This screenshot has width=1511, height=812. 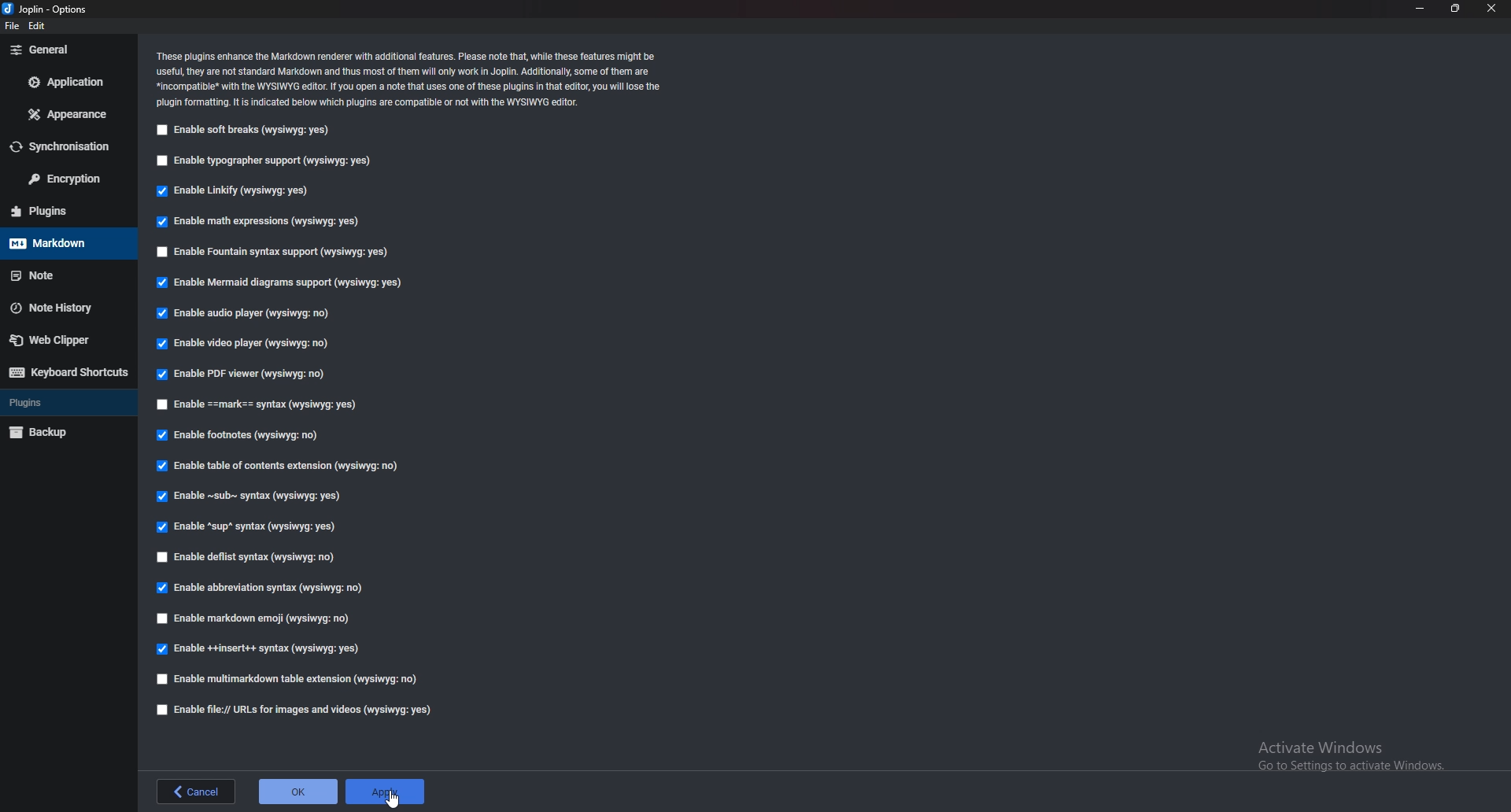 What do you see at coordinates (247, 342) in the screenshot?
I see `Enable video player` at bounding box center [247, 342].